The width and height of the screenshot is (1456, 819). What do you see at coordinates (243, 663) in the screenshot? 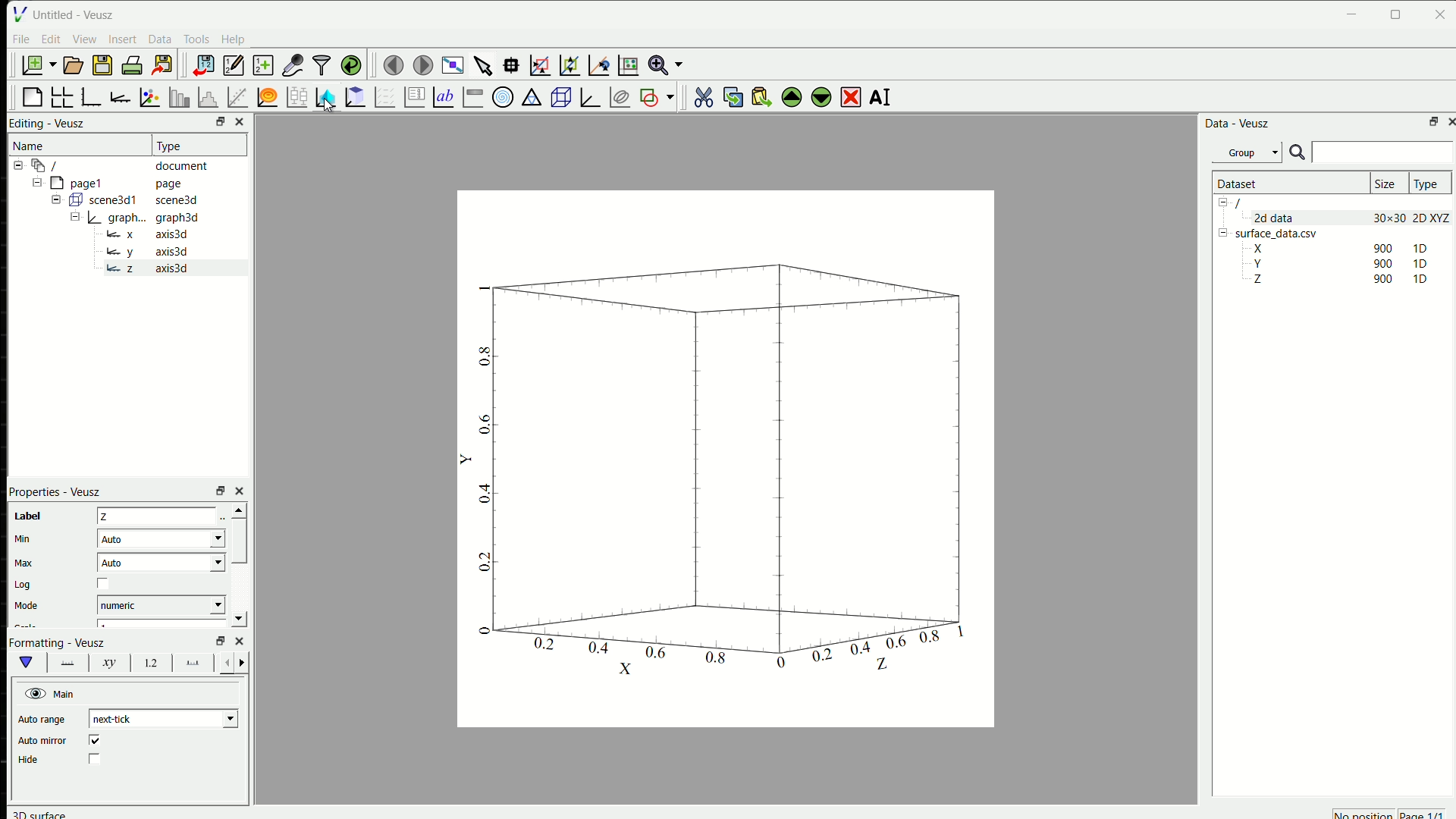
I see `error bar line` at bounding box center [243, 663].